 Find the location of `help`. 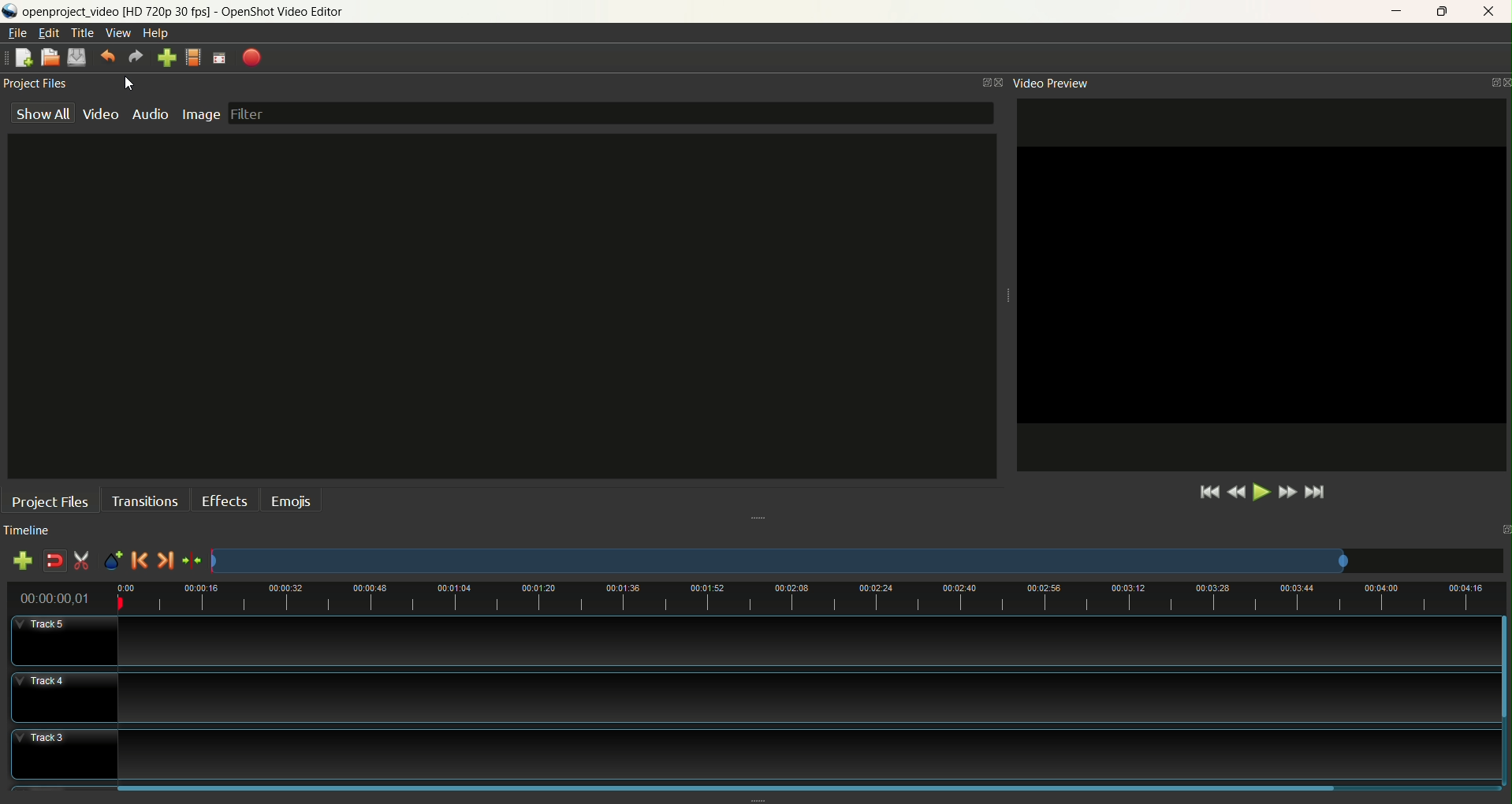

help is located at coordinates (158, 34).